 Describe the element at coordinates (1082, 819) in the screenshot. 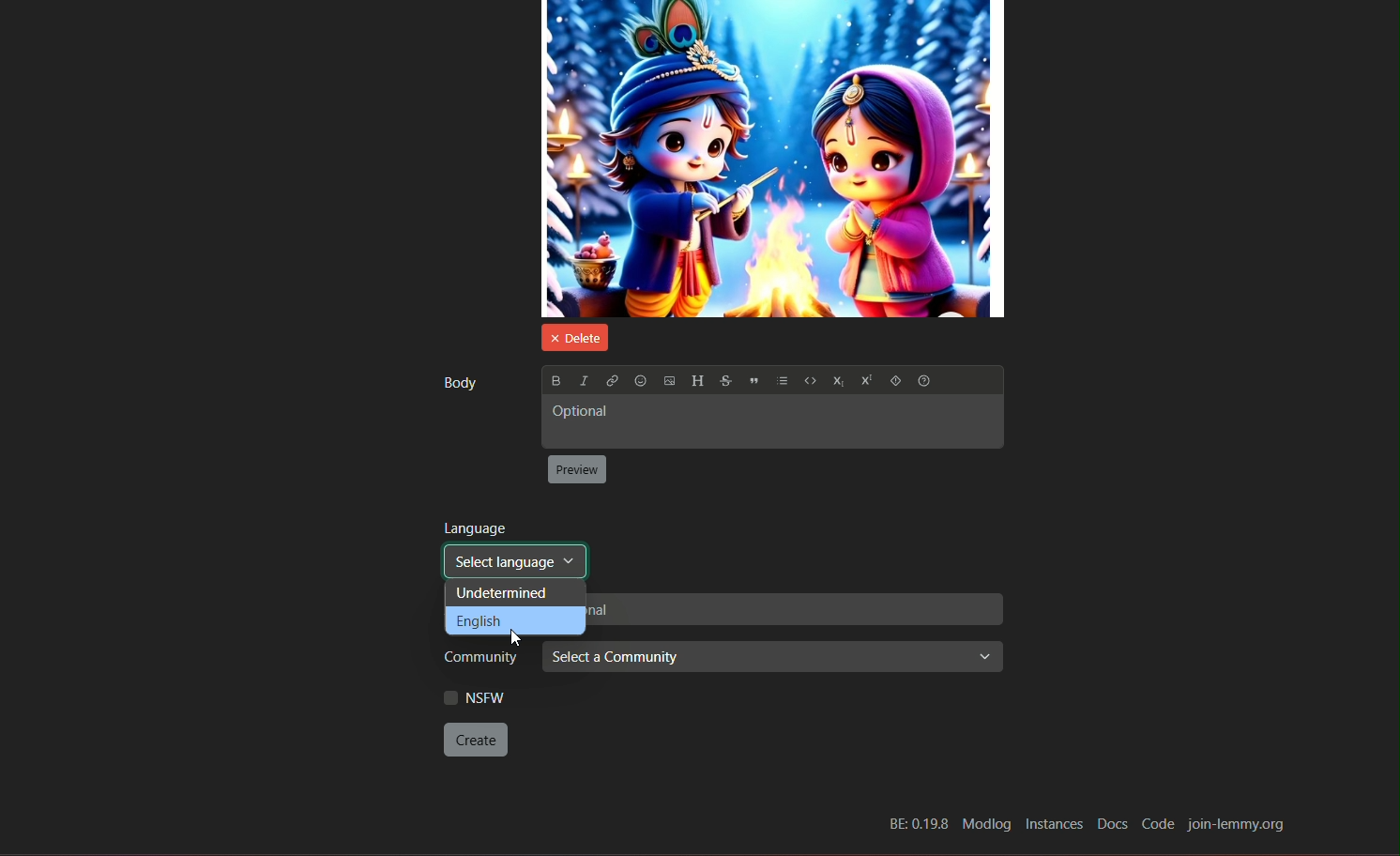

I see `BE0.198 Modiog Instances Docs Code join-lemmy.org` at that location.